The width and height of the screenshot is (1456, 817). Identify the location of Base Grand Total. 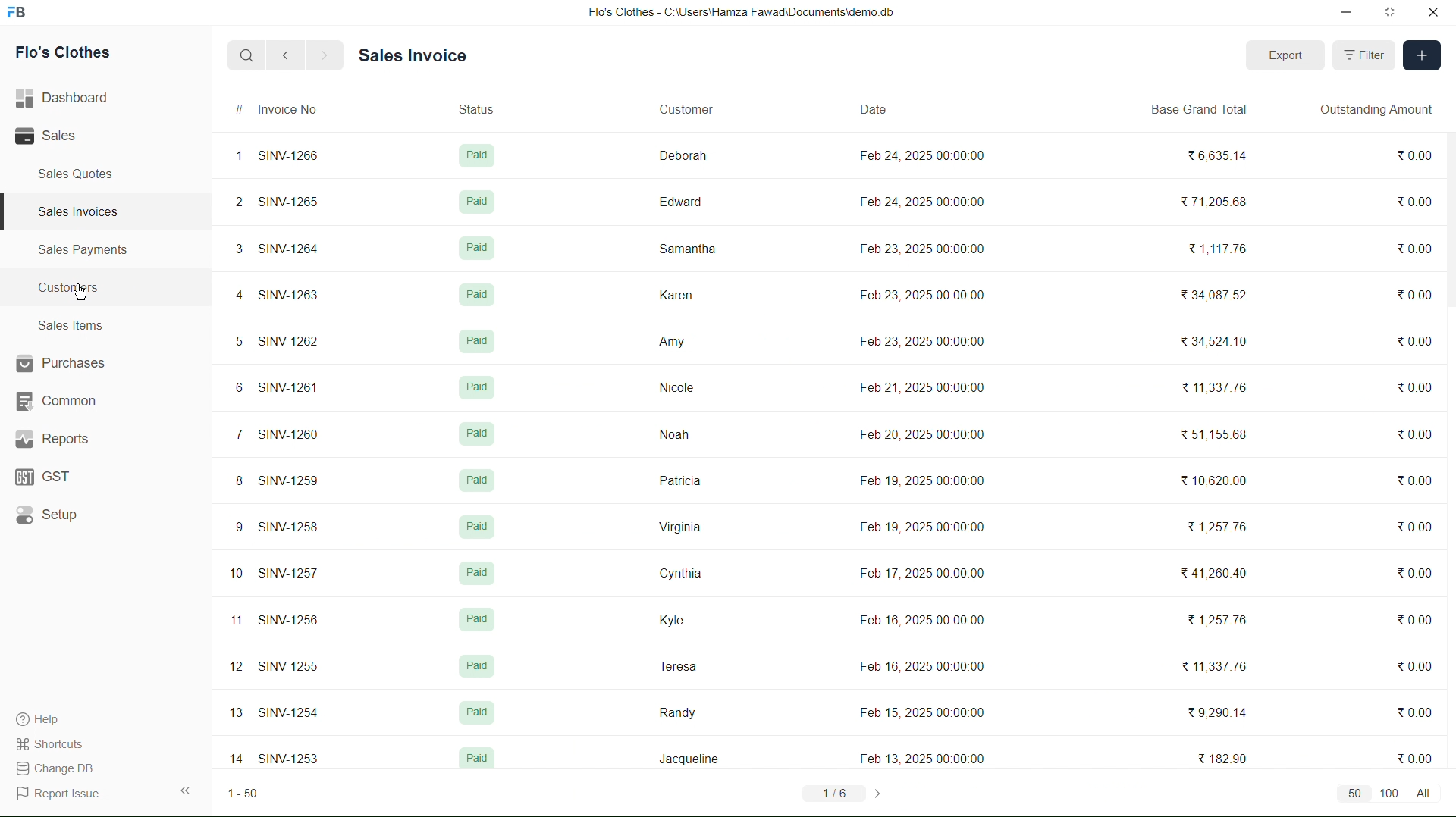
(1197, 110).